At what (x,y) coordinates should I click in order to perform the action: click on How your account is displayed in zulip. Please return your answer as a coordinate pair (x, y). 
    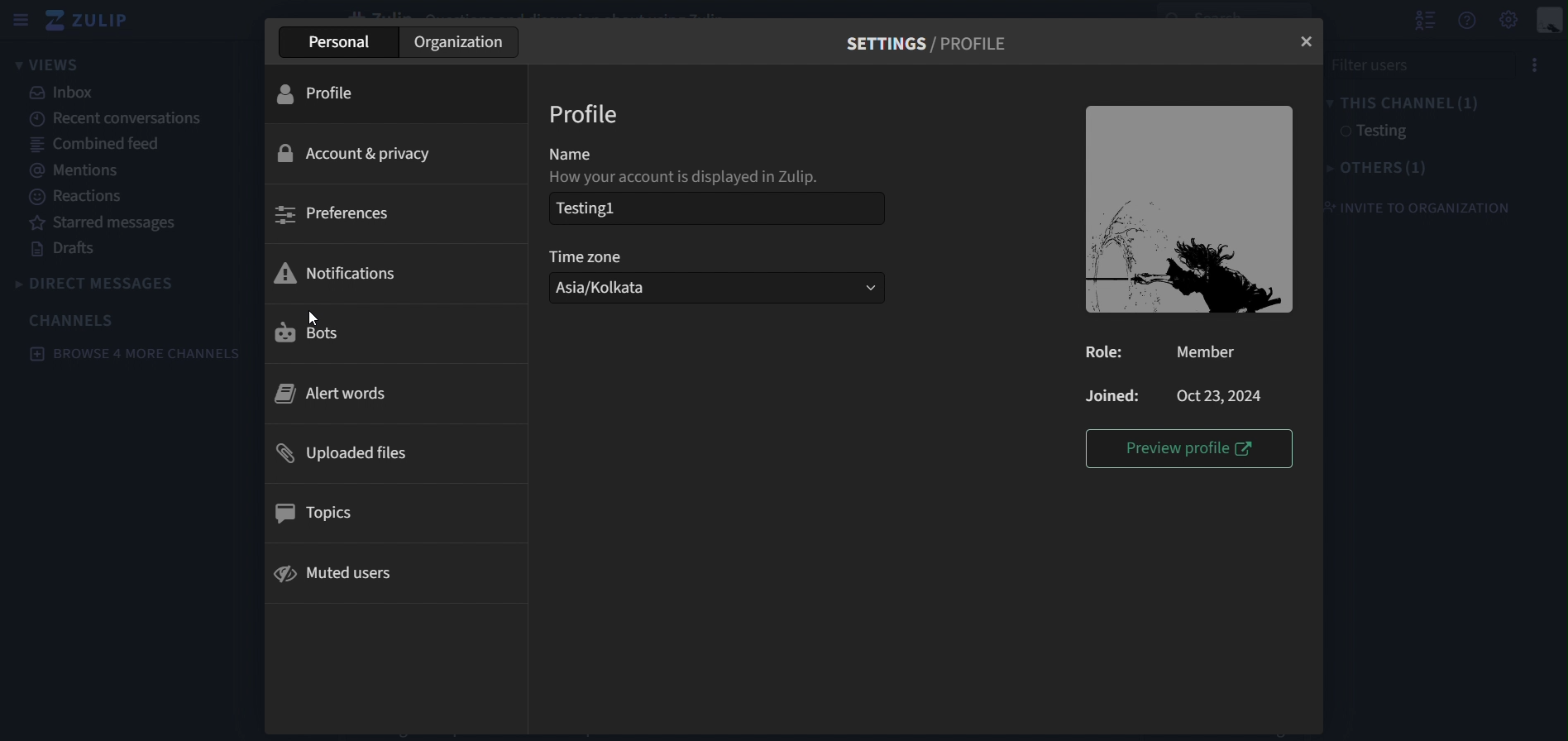
    Looking at the image, I should click on (696, 177).